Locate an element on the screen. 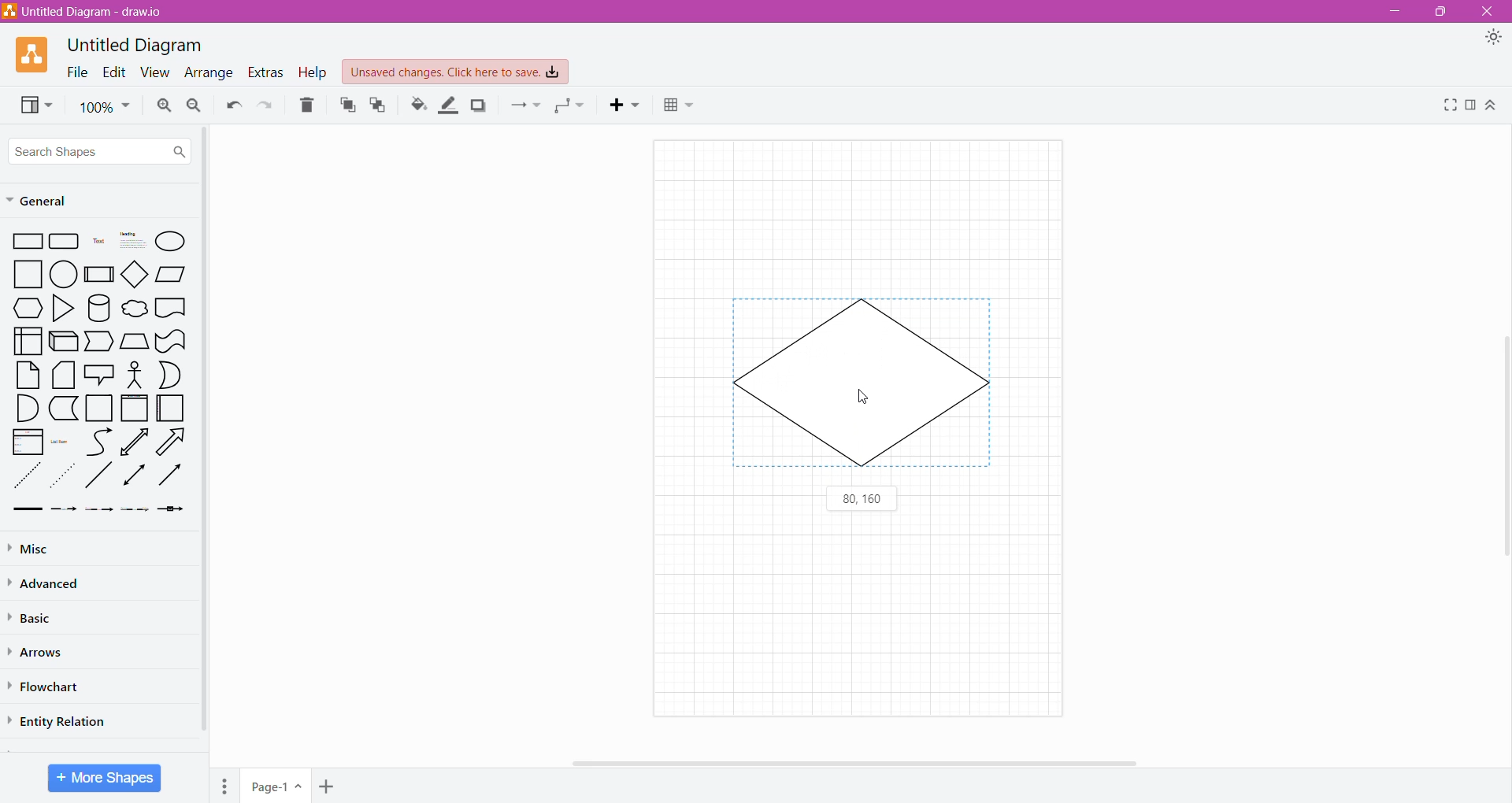 This screenshot has height=803, width=1512. Waypoints is located at coordinates (571, 107).